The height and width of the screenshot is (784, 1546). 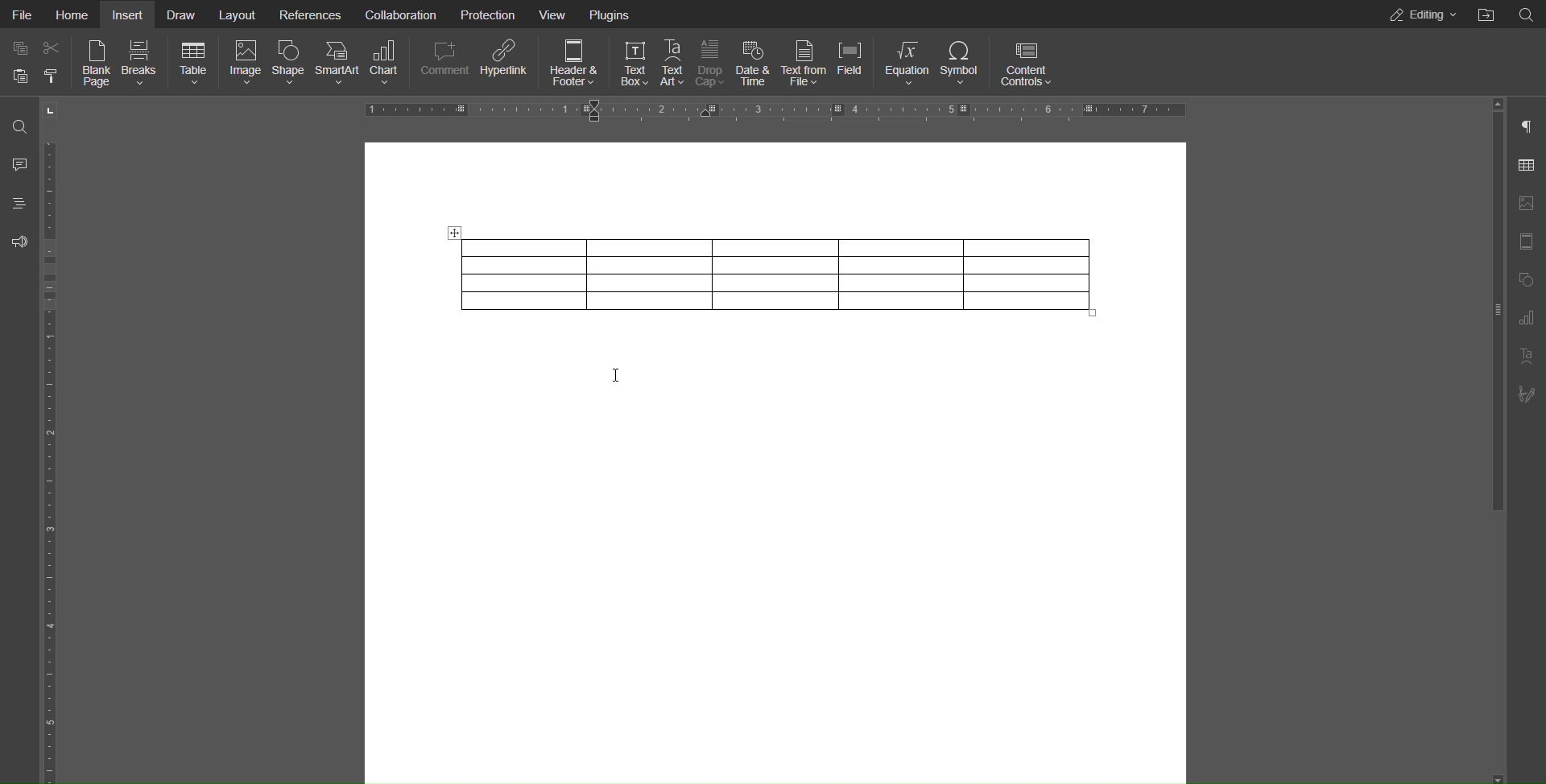 I want to click on Cut Copy Paste Options, so click(x=34, y=65).